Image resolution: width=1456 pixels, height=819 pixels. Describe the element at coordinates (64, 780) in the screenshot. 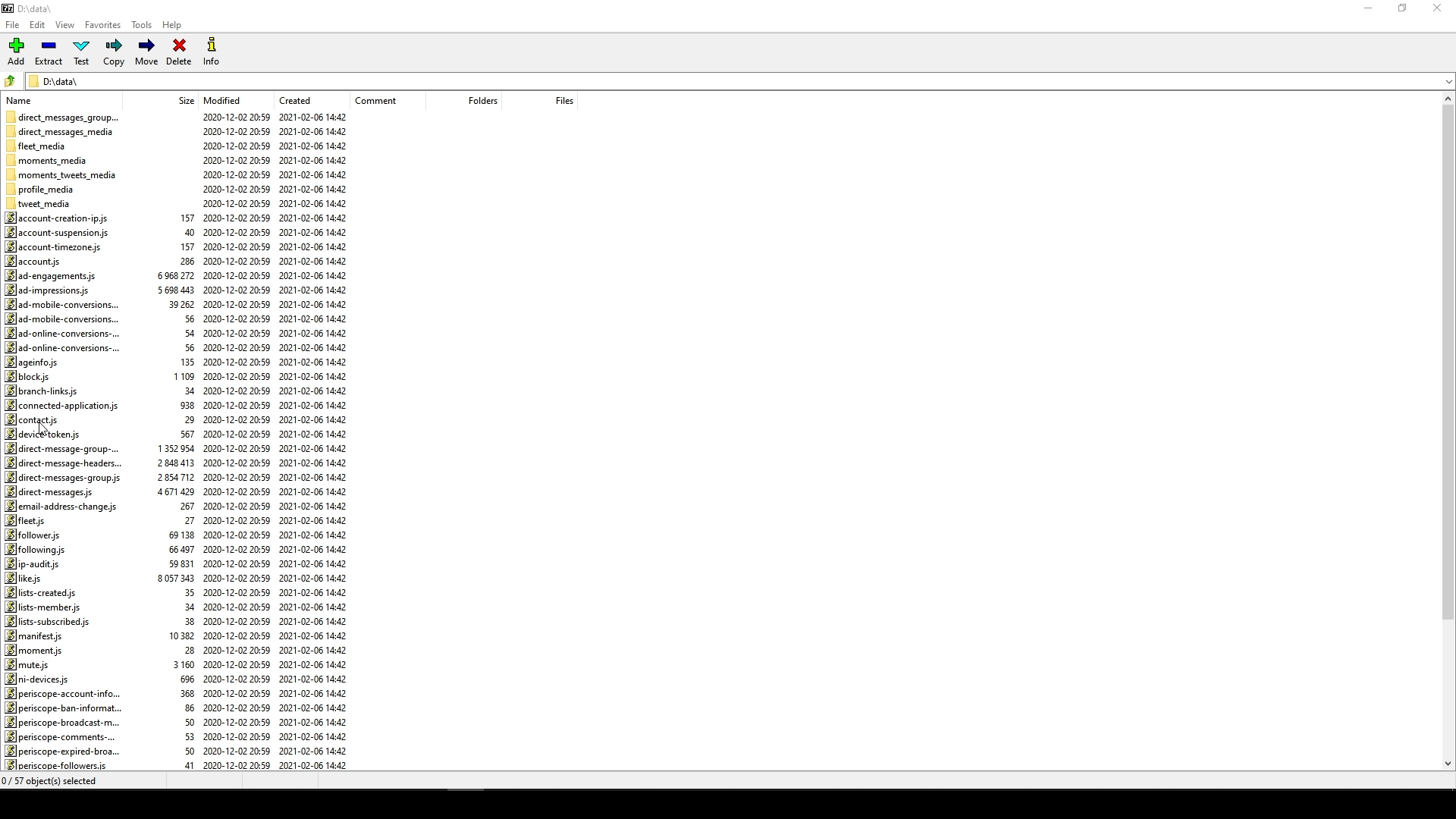

I see `0/57 objects selected` at that location.